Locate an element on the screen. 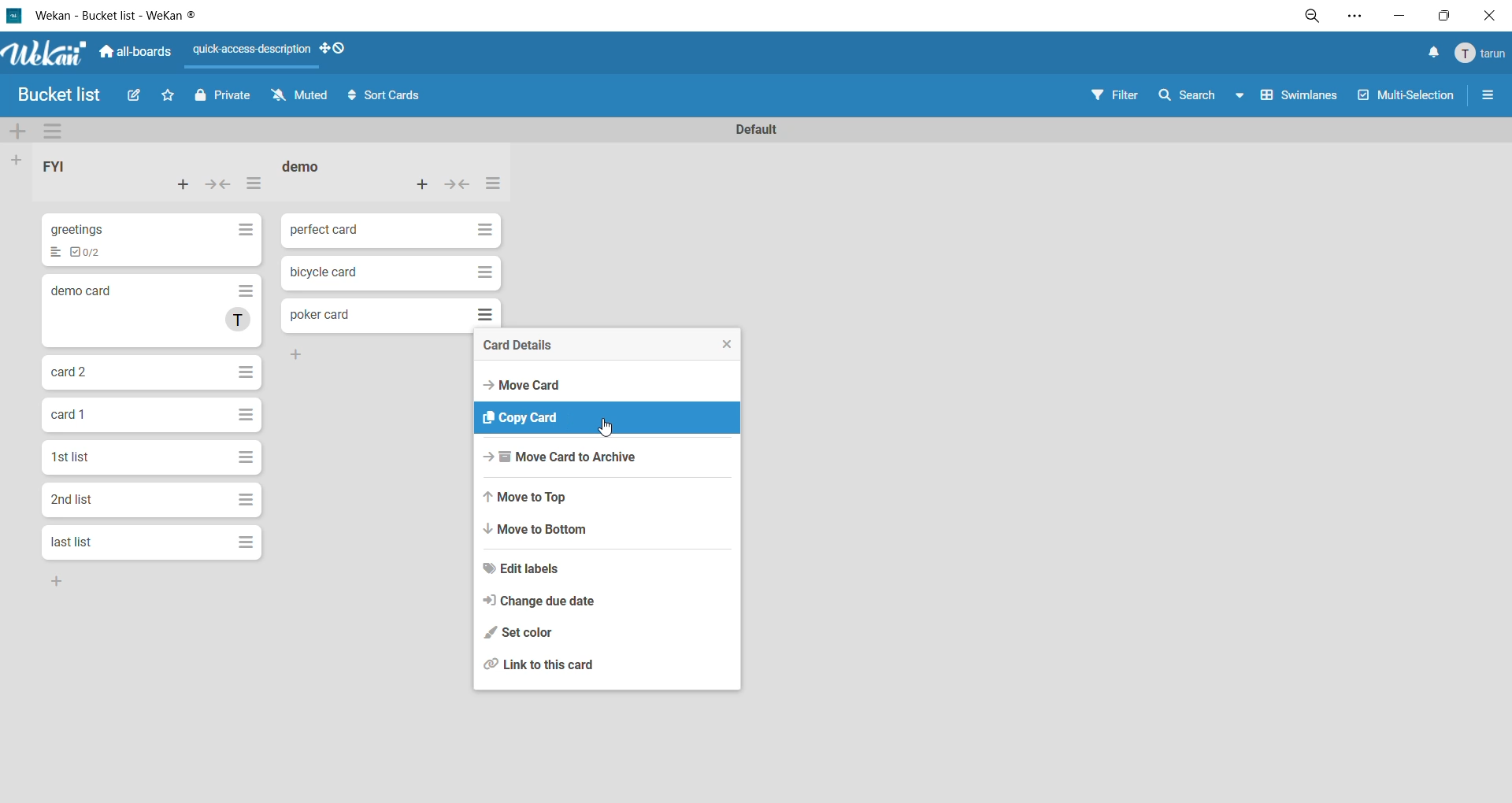 This screenshot has width=1512, height=803. Hamburger is located at coordinates (482, 272).